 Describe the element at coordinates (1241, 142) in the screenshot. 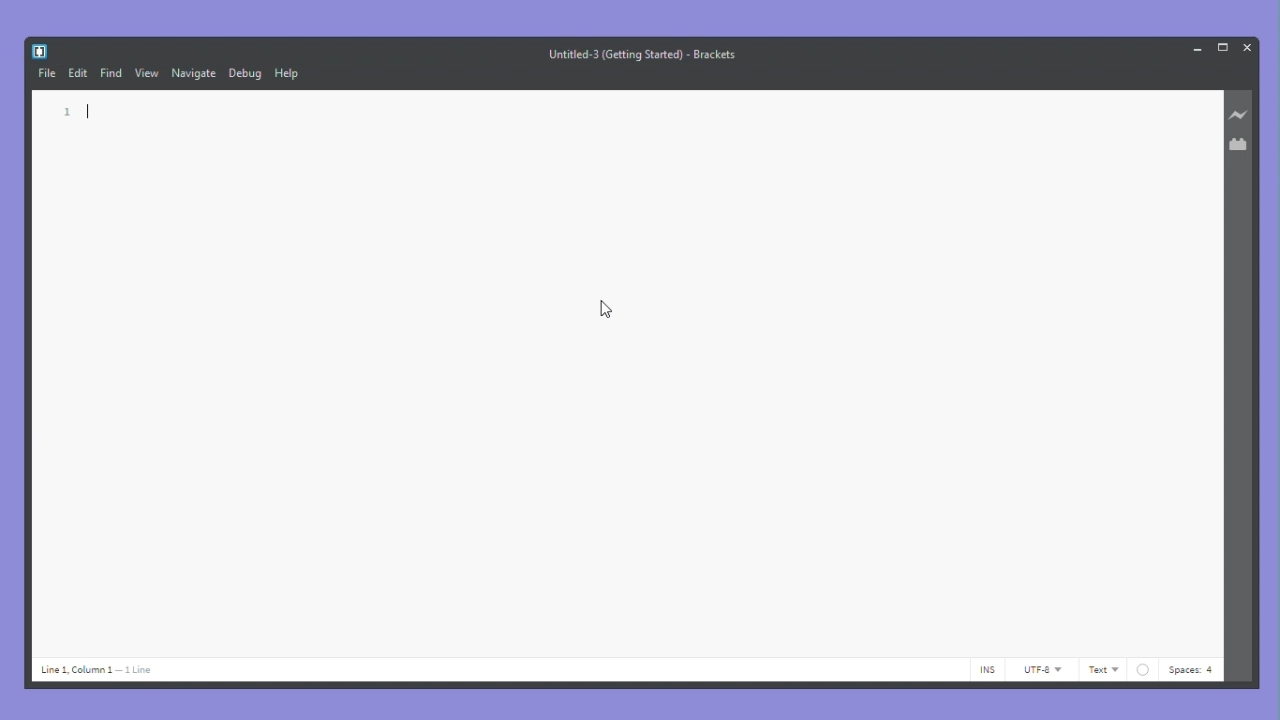

I see `Extension manager` at that location.